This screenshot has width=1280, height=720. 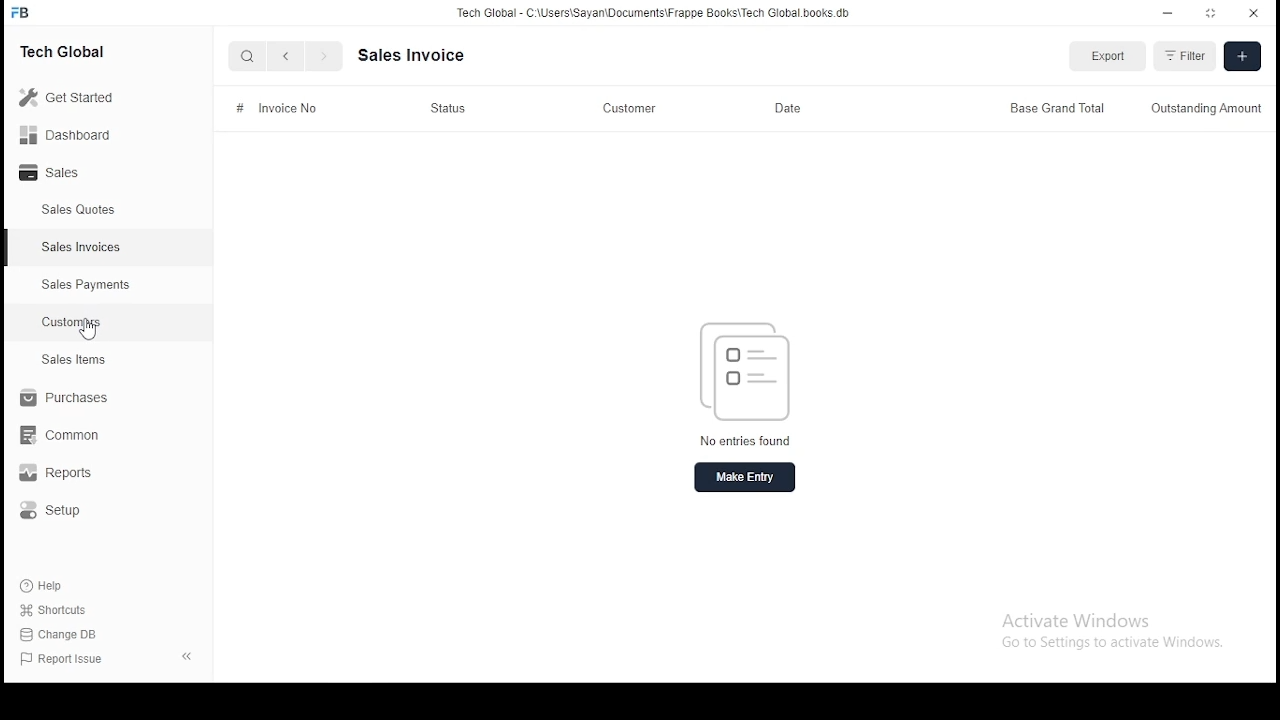 I want to click on minimize, so click(x=1169, y=13).